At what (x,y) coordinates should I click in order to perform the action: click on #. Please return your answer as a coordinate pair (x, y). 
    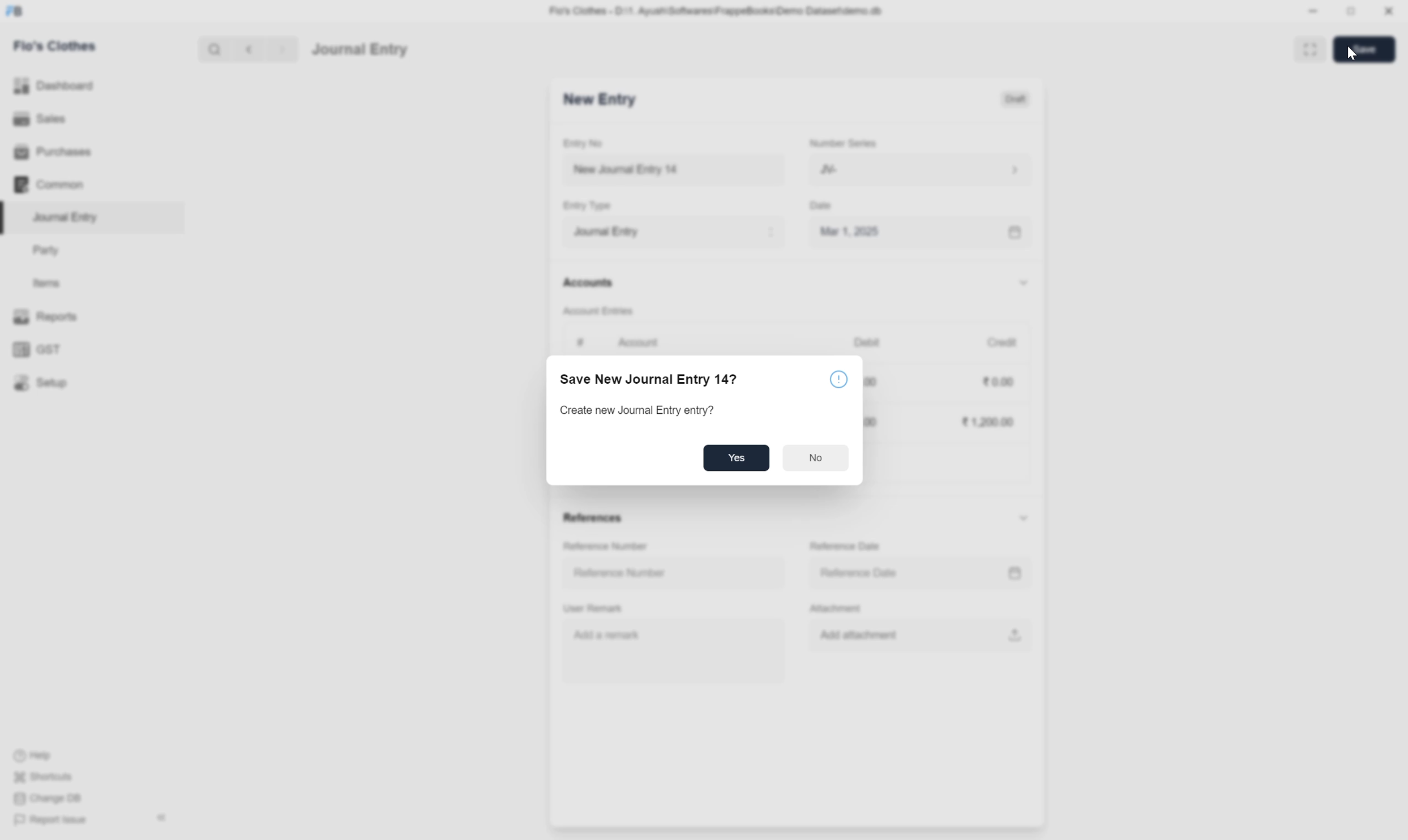
    Looking at the image, I should click on (581, 342).